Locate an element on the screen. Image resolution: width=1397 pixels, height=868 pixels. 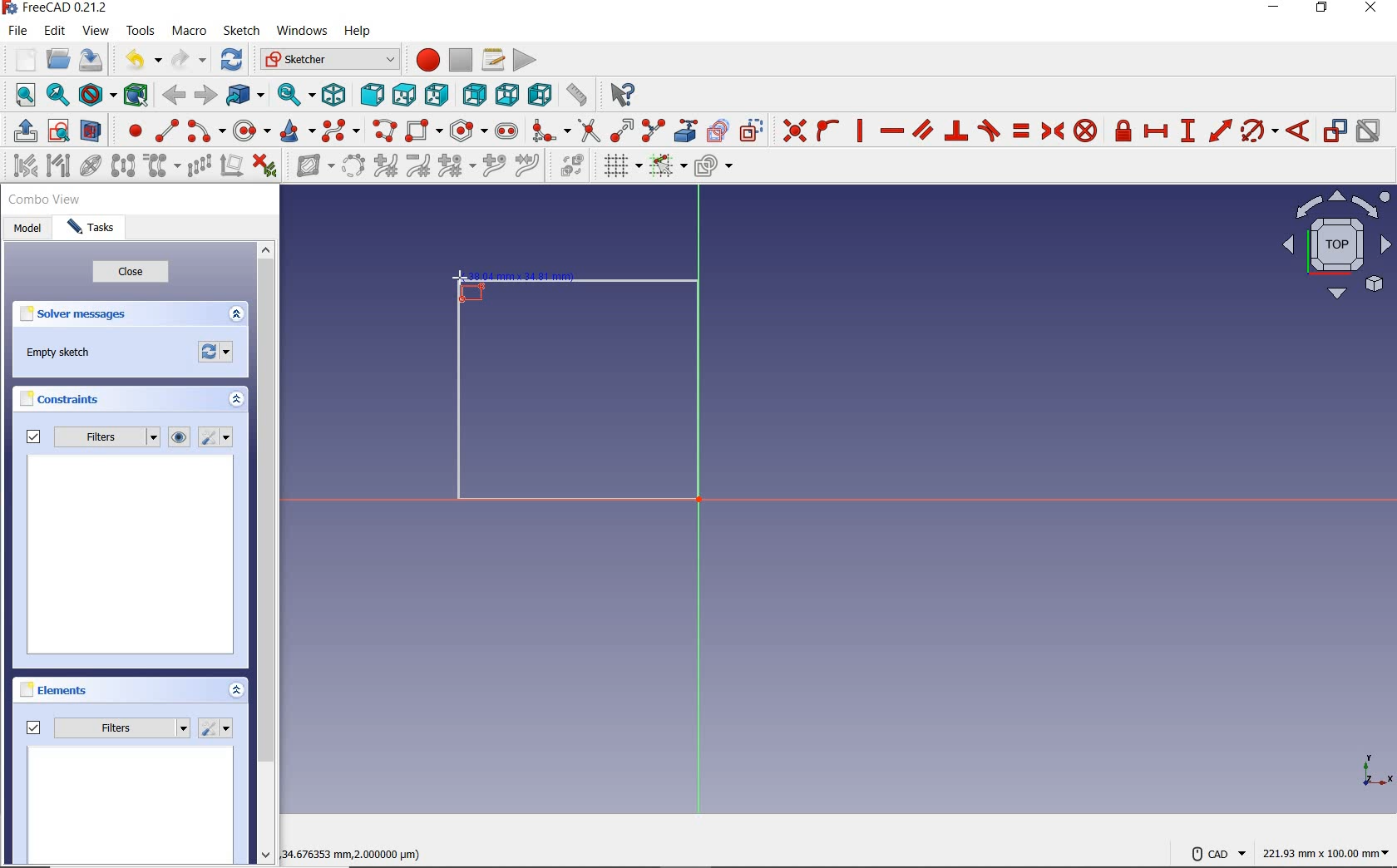
sketch is located at coordinates (243, 31).